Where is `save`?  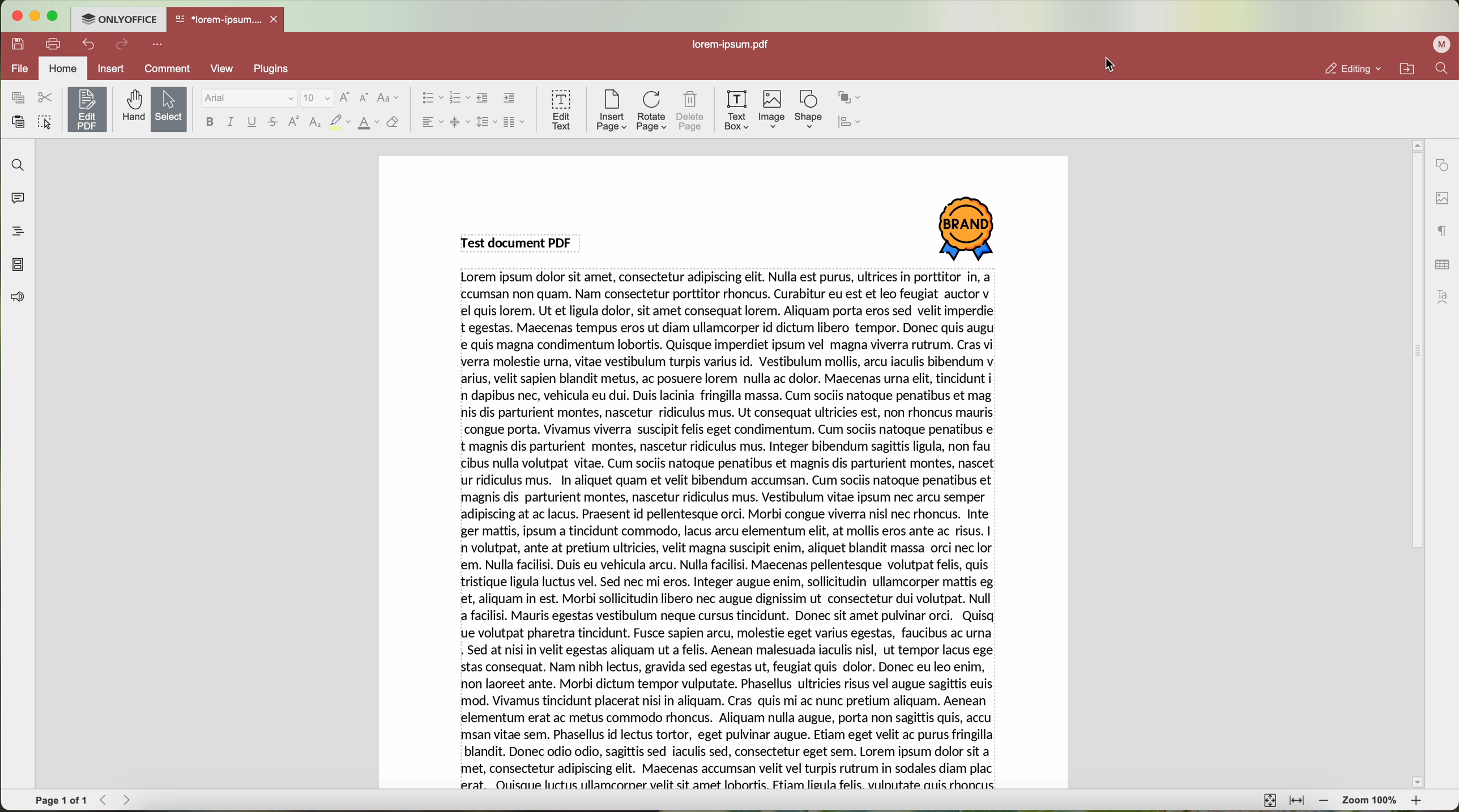
save is located at coordinates (15, 43).